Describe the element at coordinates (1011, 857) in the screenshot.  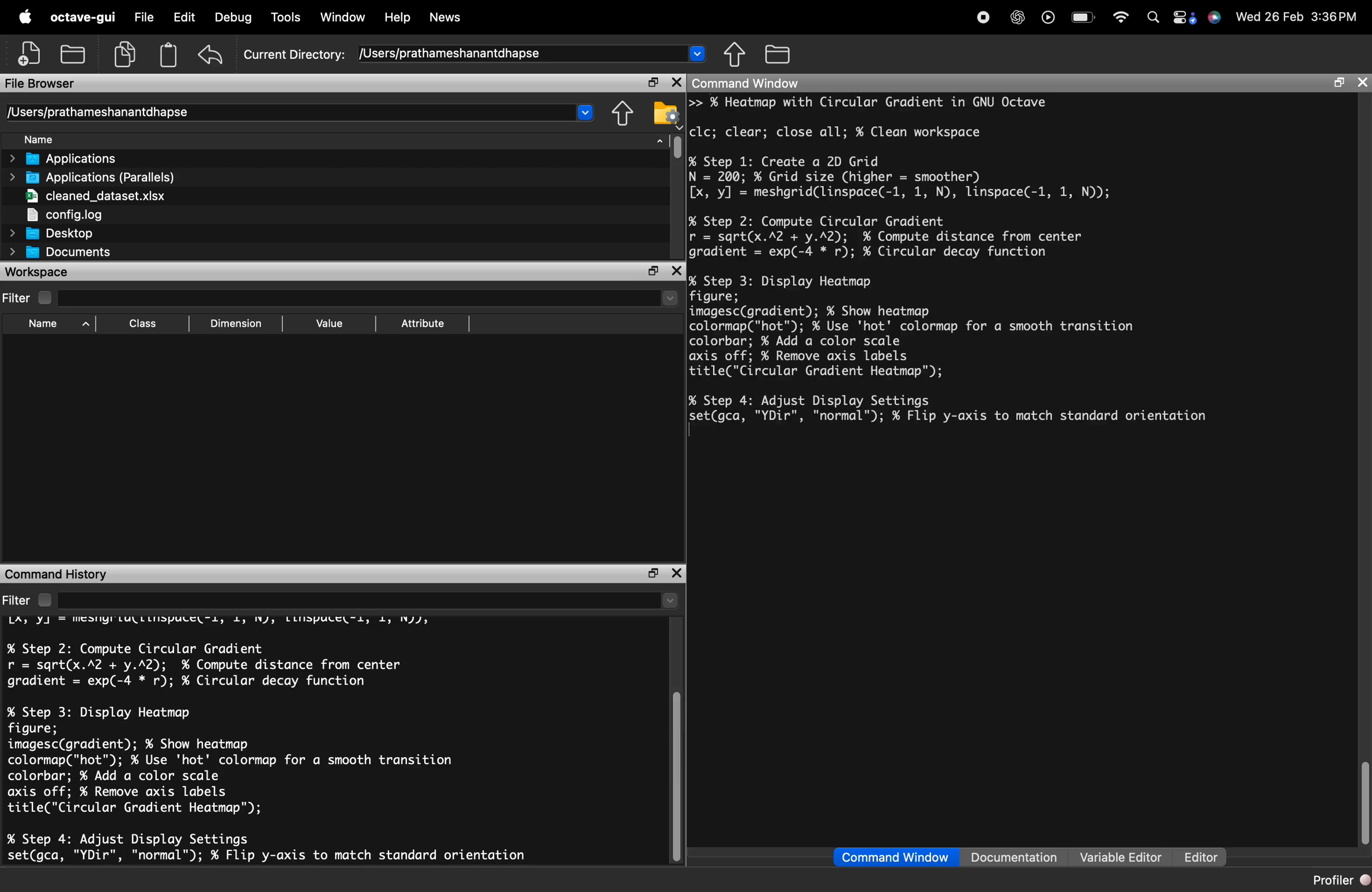
I see `Documentation` at that location.